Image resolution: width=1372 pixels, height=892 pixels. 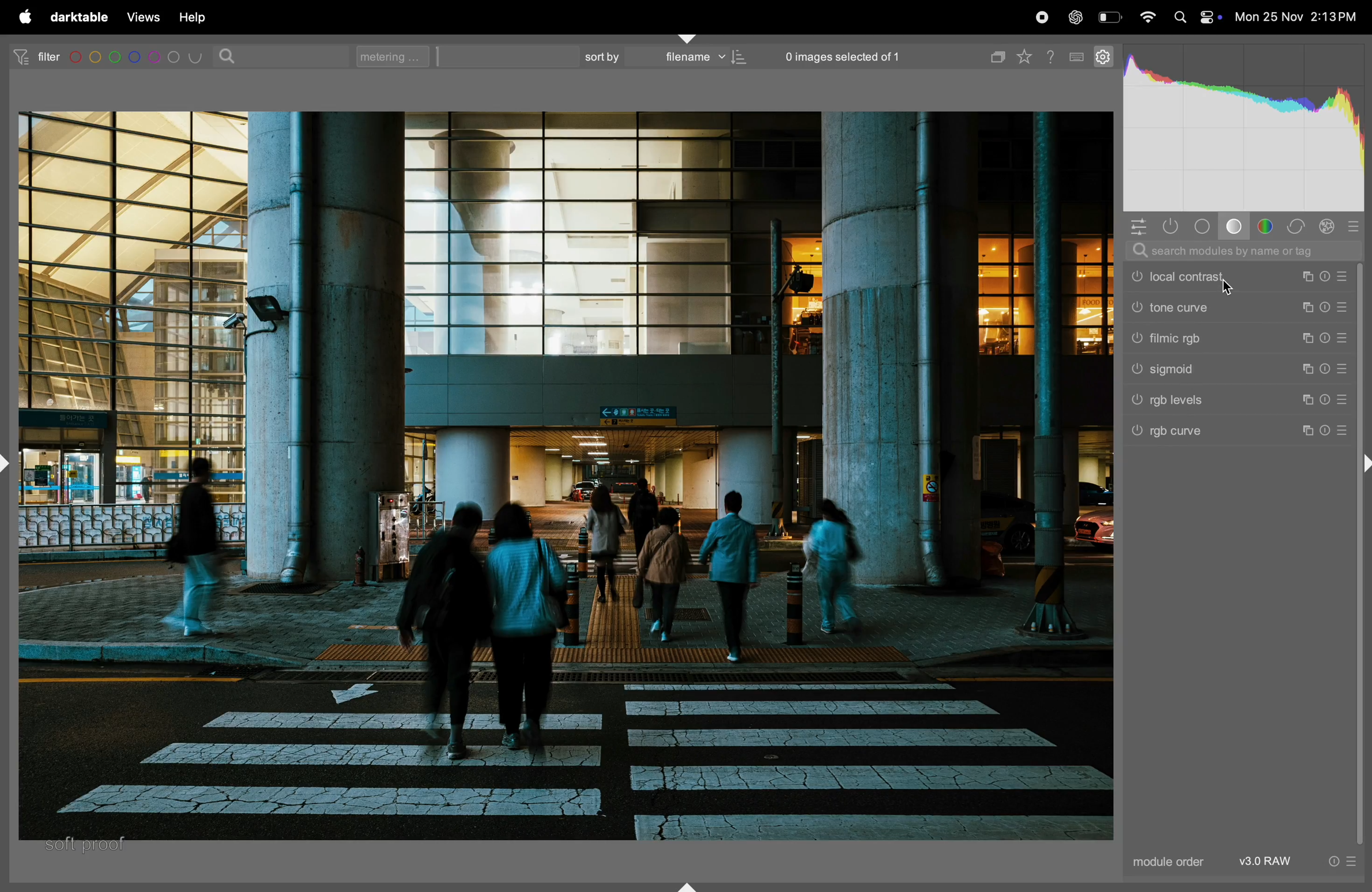 What do you see at coordinates (1344, 277) in the screenshot?
I see `preset` at bounding box center [1344, 277].